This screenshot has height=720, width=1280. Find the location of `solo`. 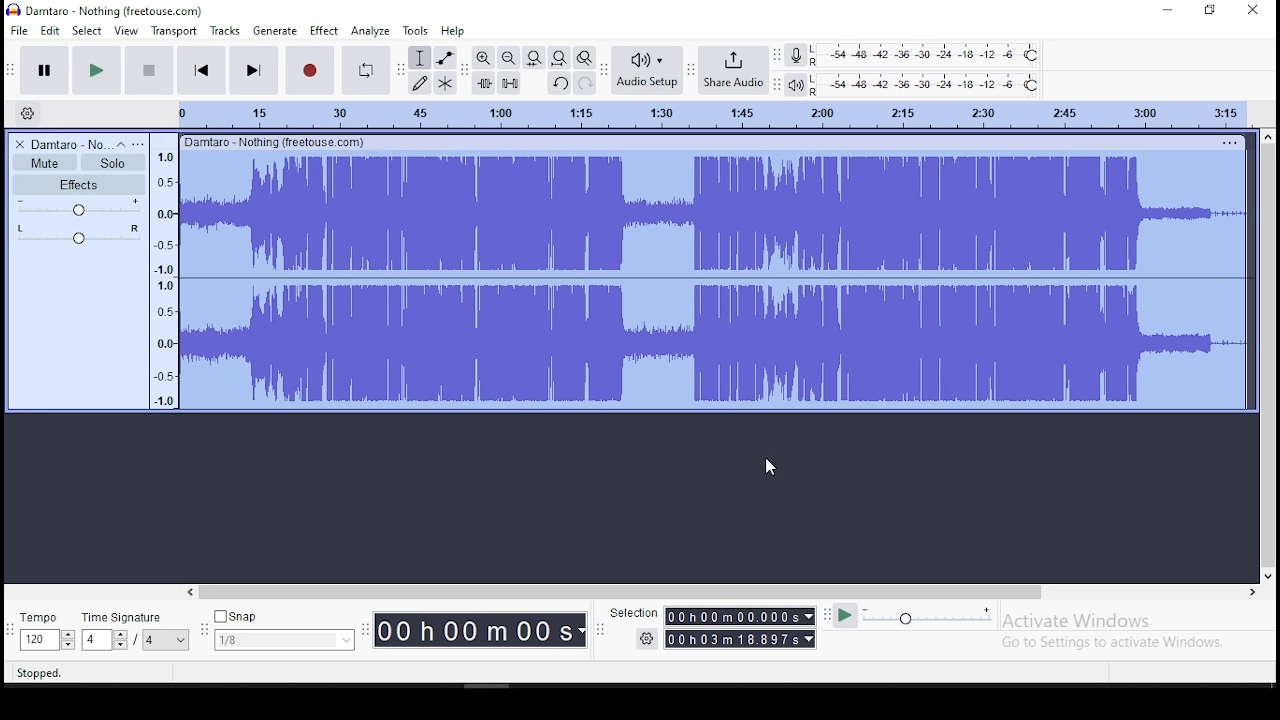

solo is located at coordinates (113, 163).